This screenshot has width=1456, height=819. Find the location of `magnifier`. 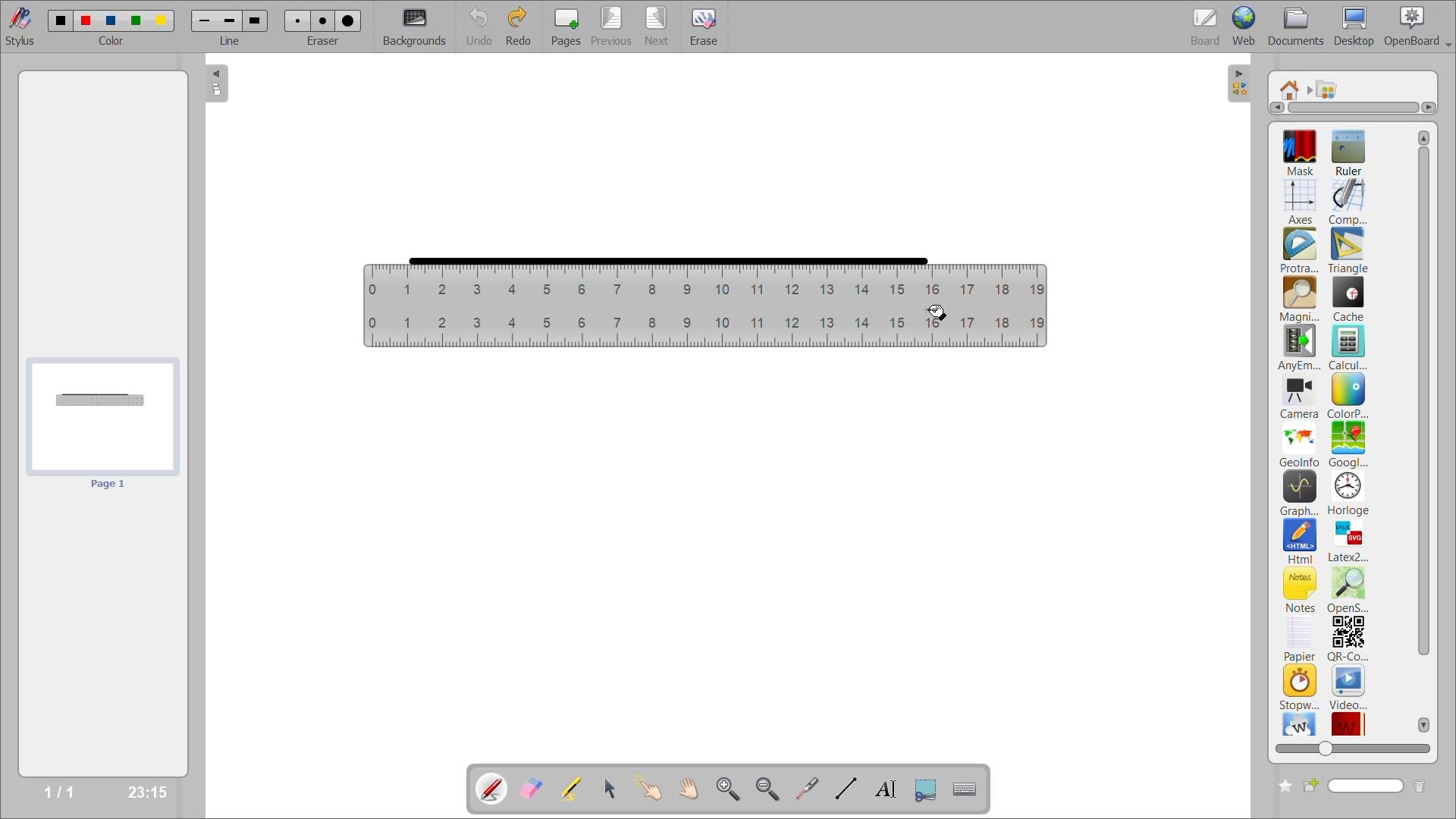

magnifier is located at coordinates (1299, 300).